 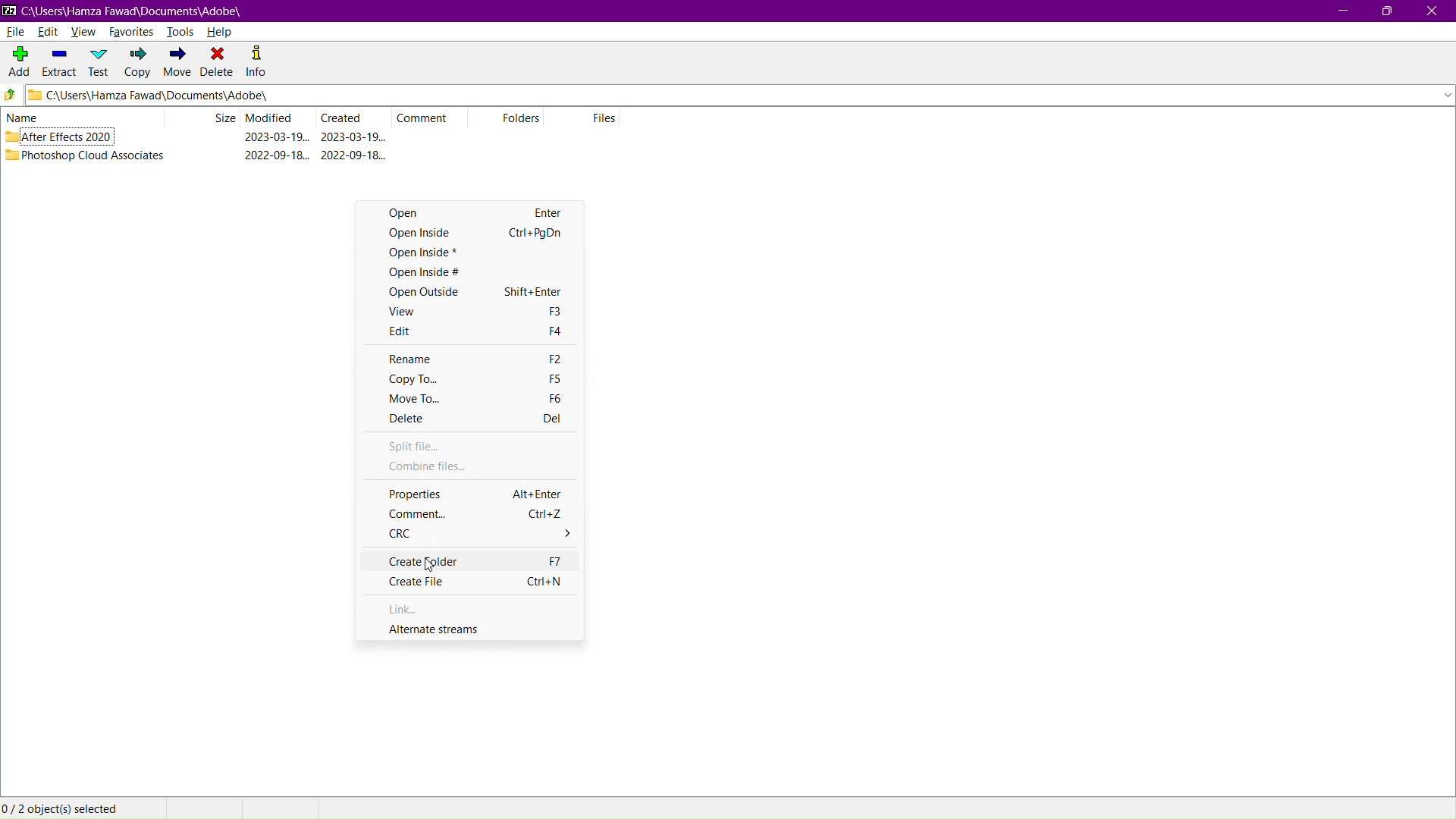 I want to click on Create Folder, so click(x=470, y=558).